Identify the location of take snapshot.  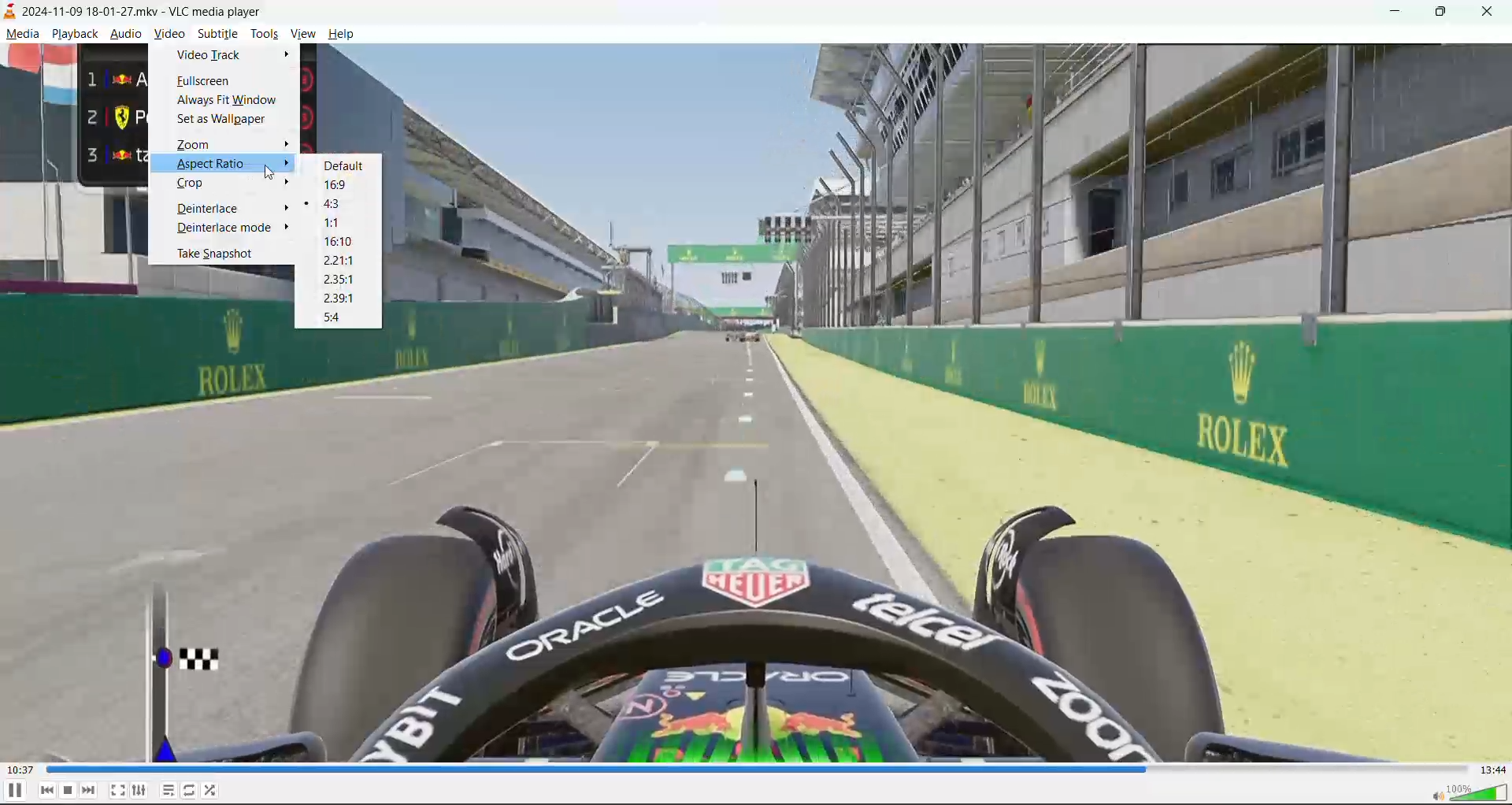
(220, 254).